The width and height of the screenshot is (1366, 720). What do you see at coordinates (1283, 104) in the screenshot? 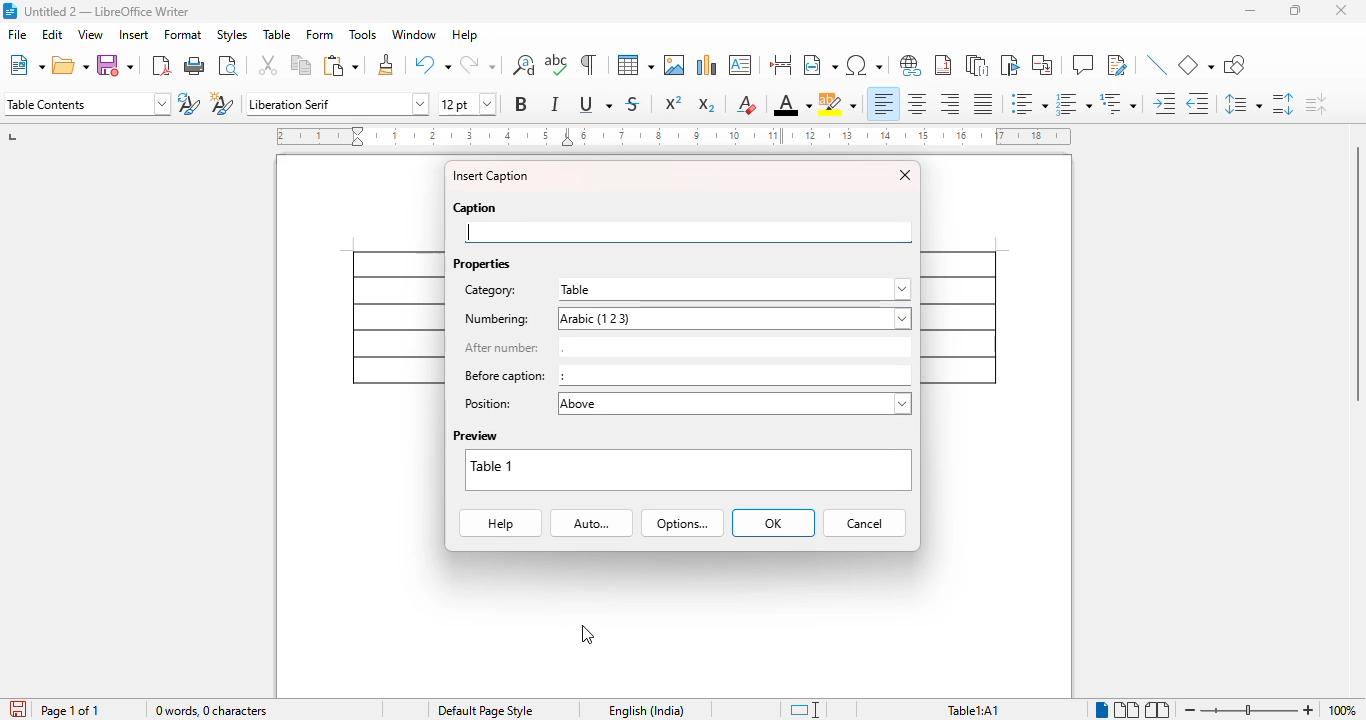
I see `increase paragraph spacing` at bounding box center [1283, 104].